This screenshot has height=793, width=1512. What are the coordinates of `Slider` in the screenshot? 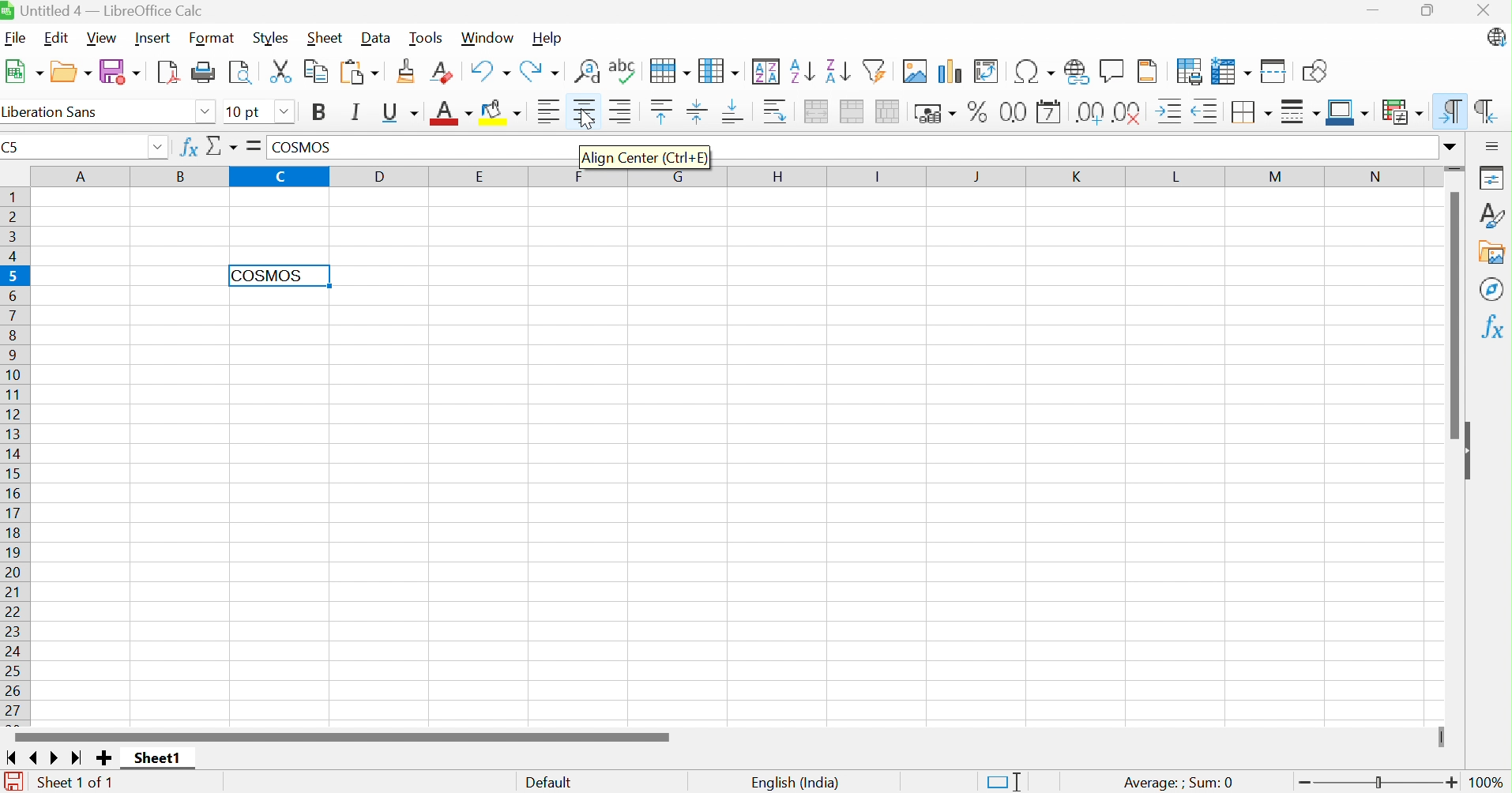 It's located at (1455, 172).